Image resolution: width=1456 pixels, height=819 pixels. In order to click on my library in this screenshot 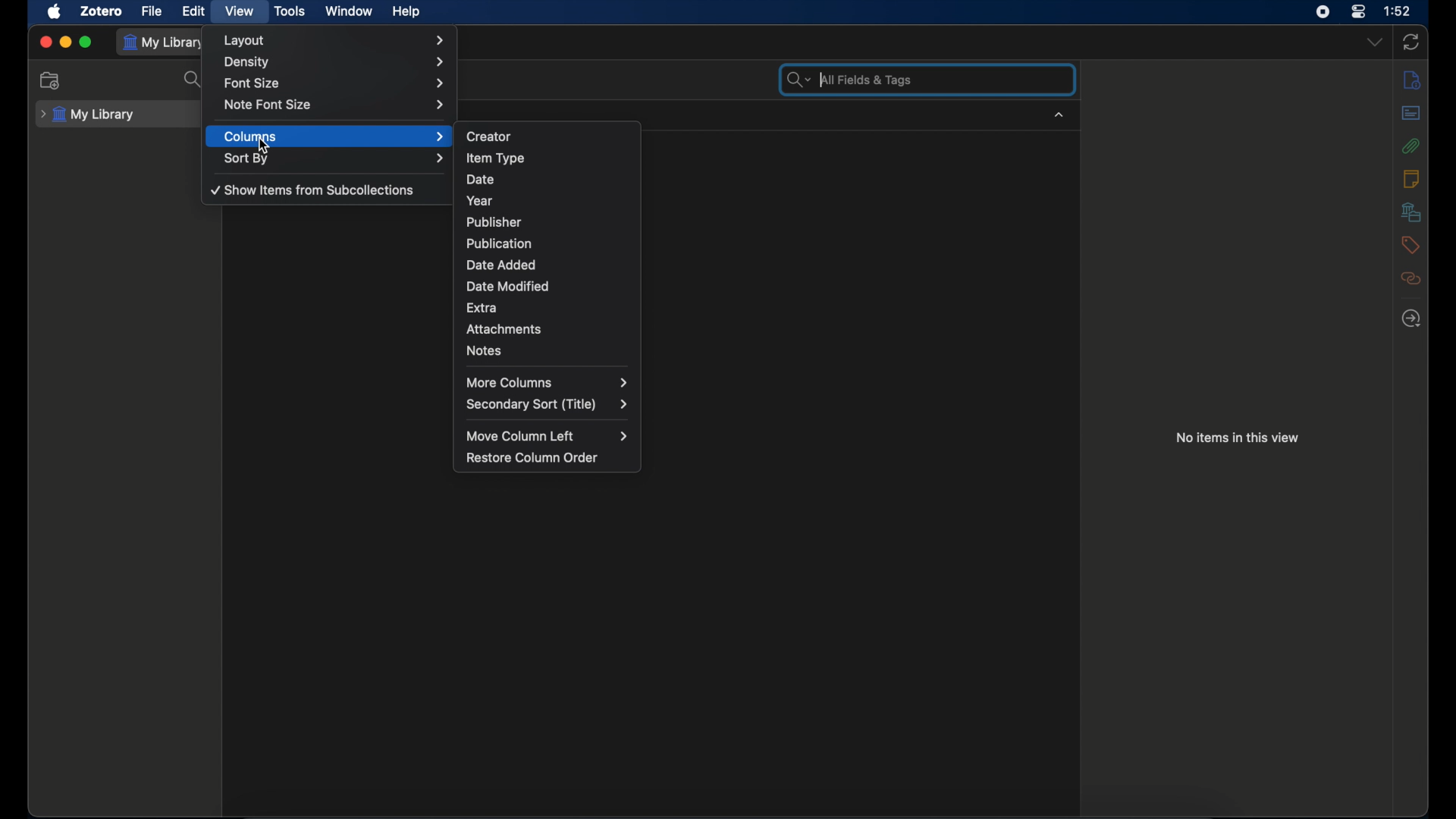, I will do `click(165, 42)`.